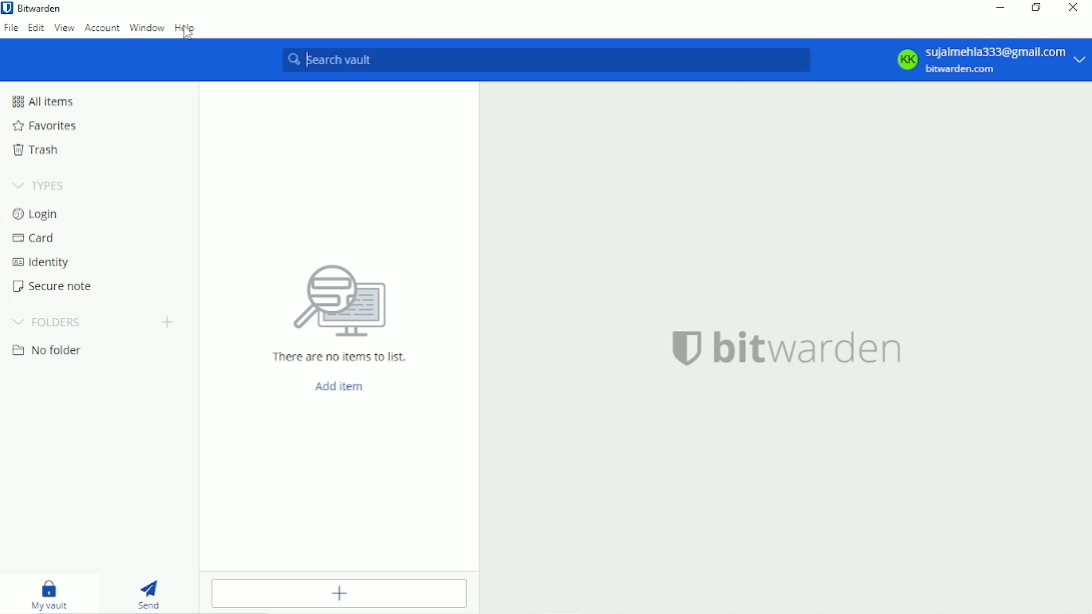  I want to click on View, so click(66, 29).